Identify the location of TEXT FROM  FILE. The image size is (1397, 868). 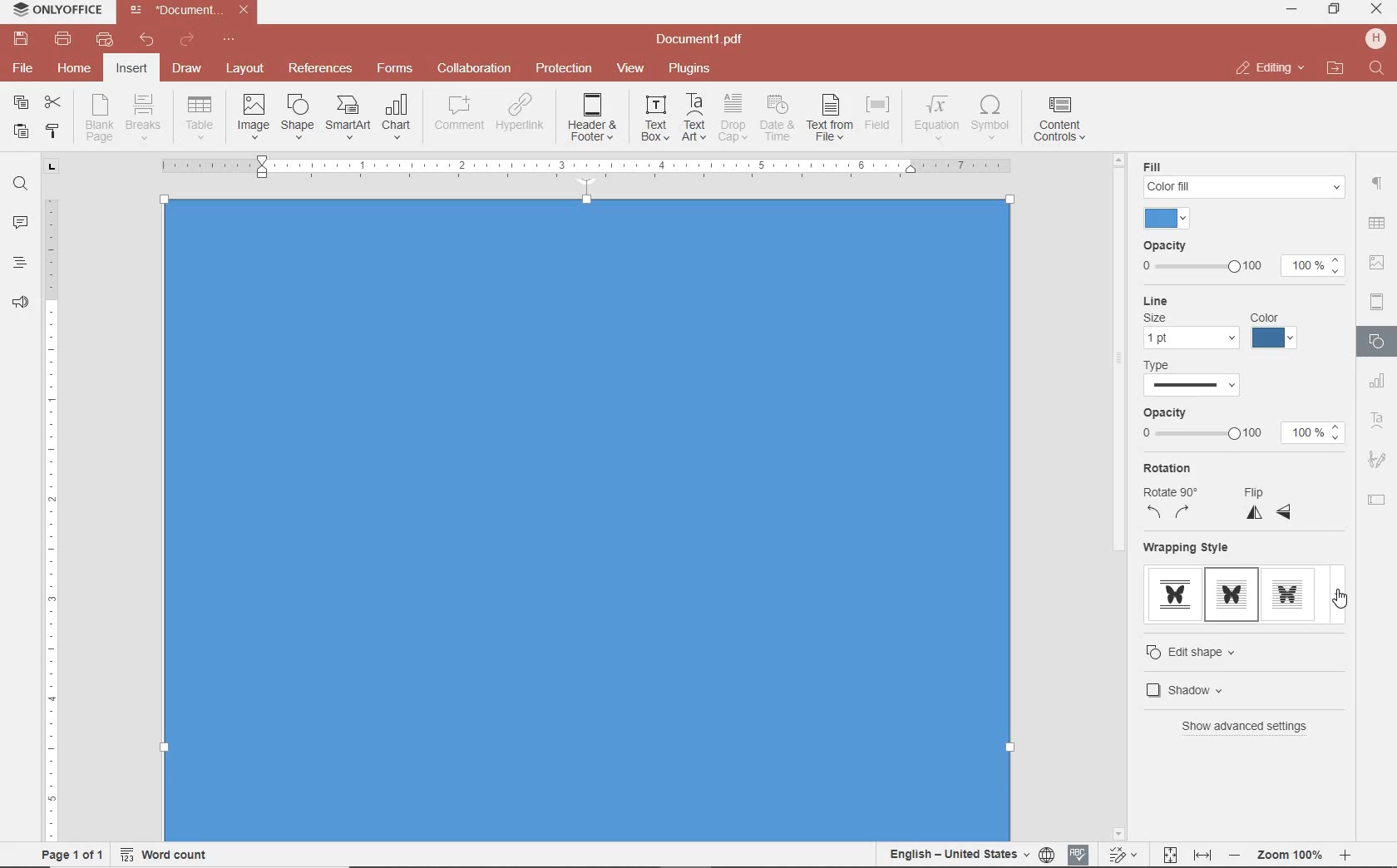
(830, 118).